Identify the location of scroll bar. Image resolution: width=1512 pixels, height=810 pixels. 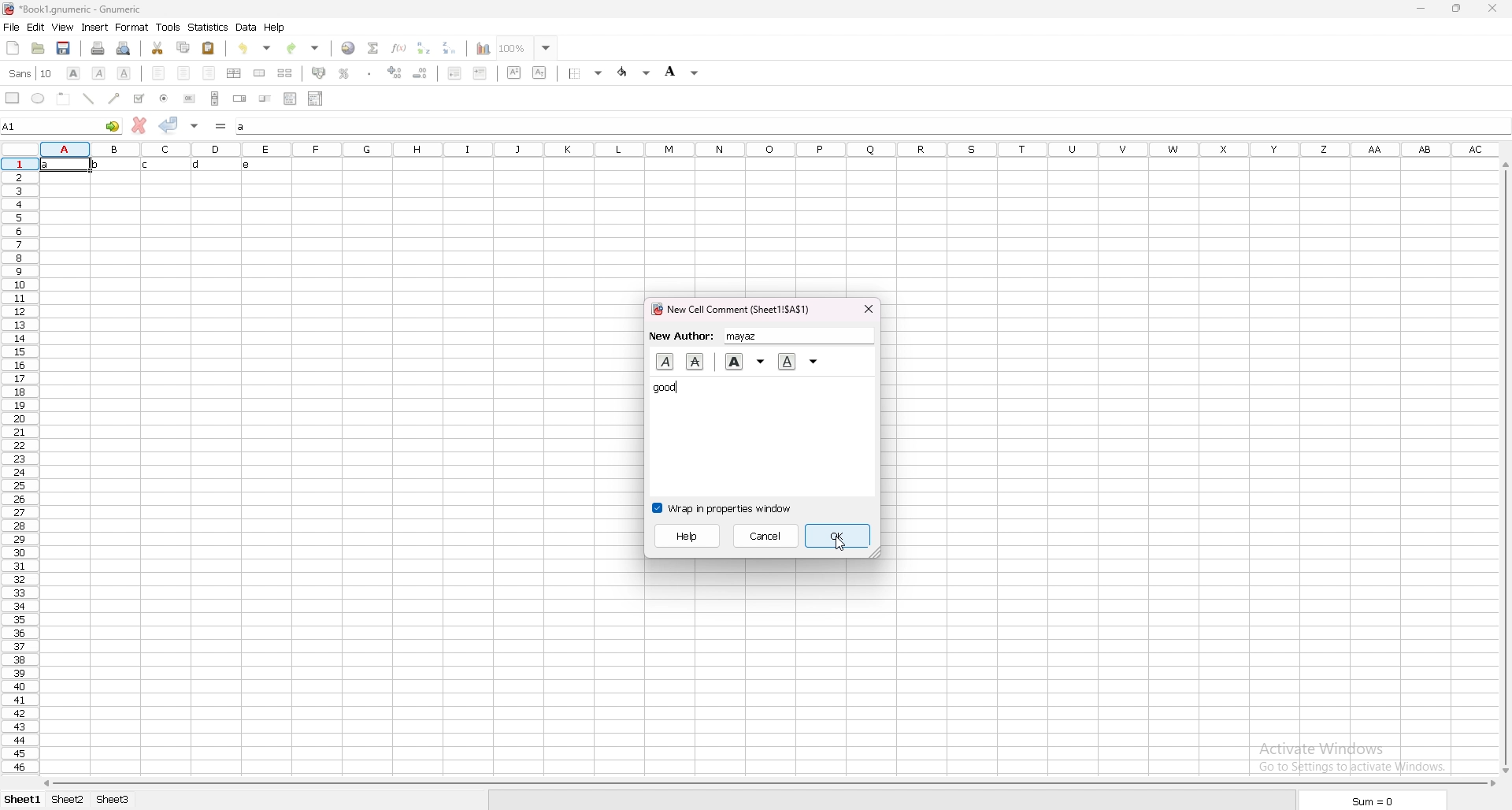
(1504, 470).